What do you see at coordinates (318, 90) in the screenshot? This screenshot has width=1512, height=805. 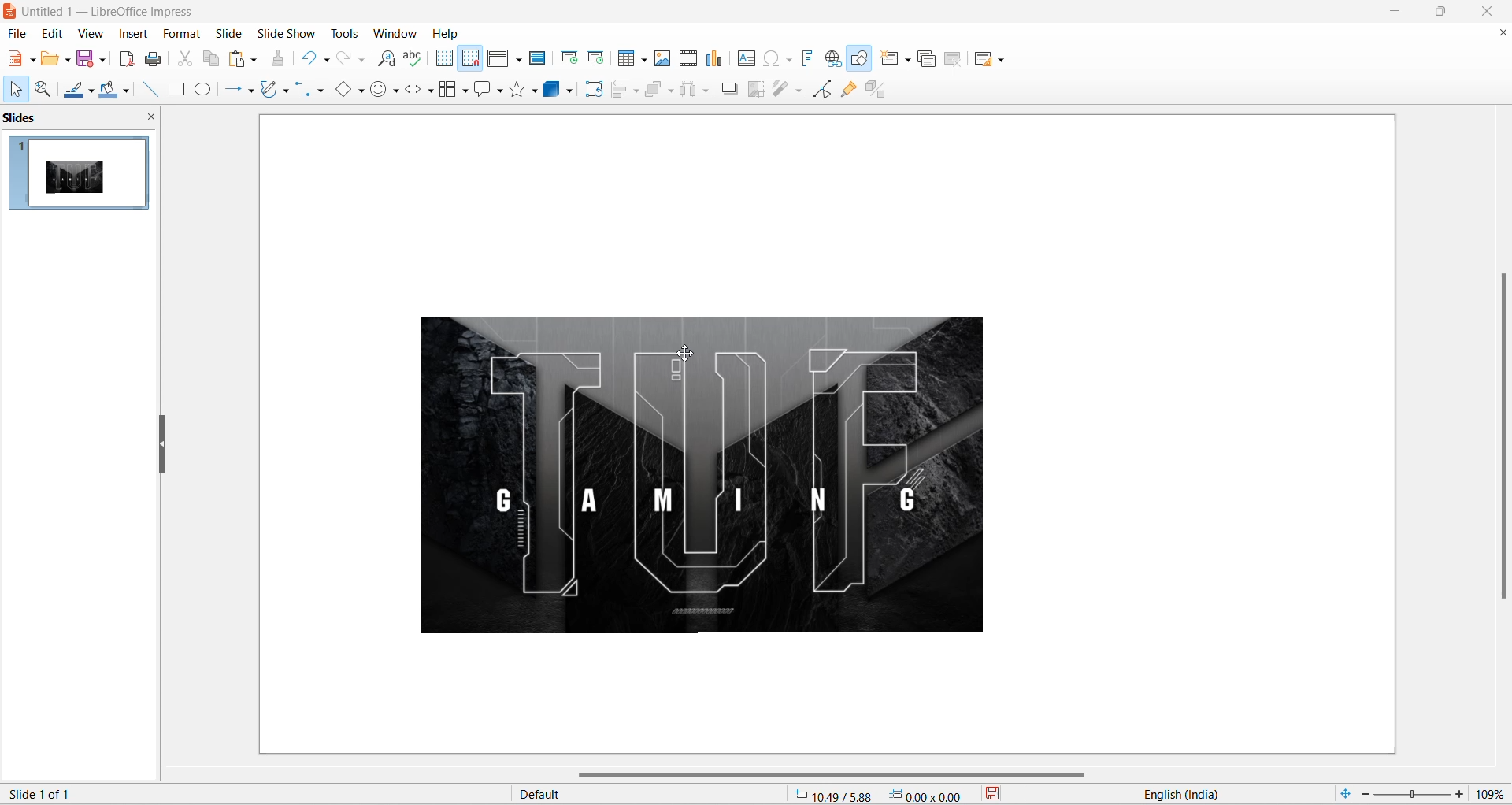 I see `connectors options` at bounding box center [318, 90].